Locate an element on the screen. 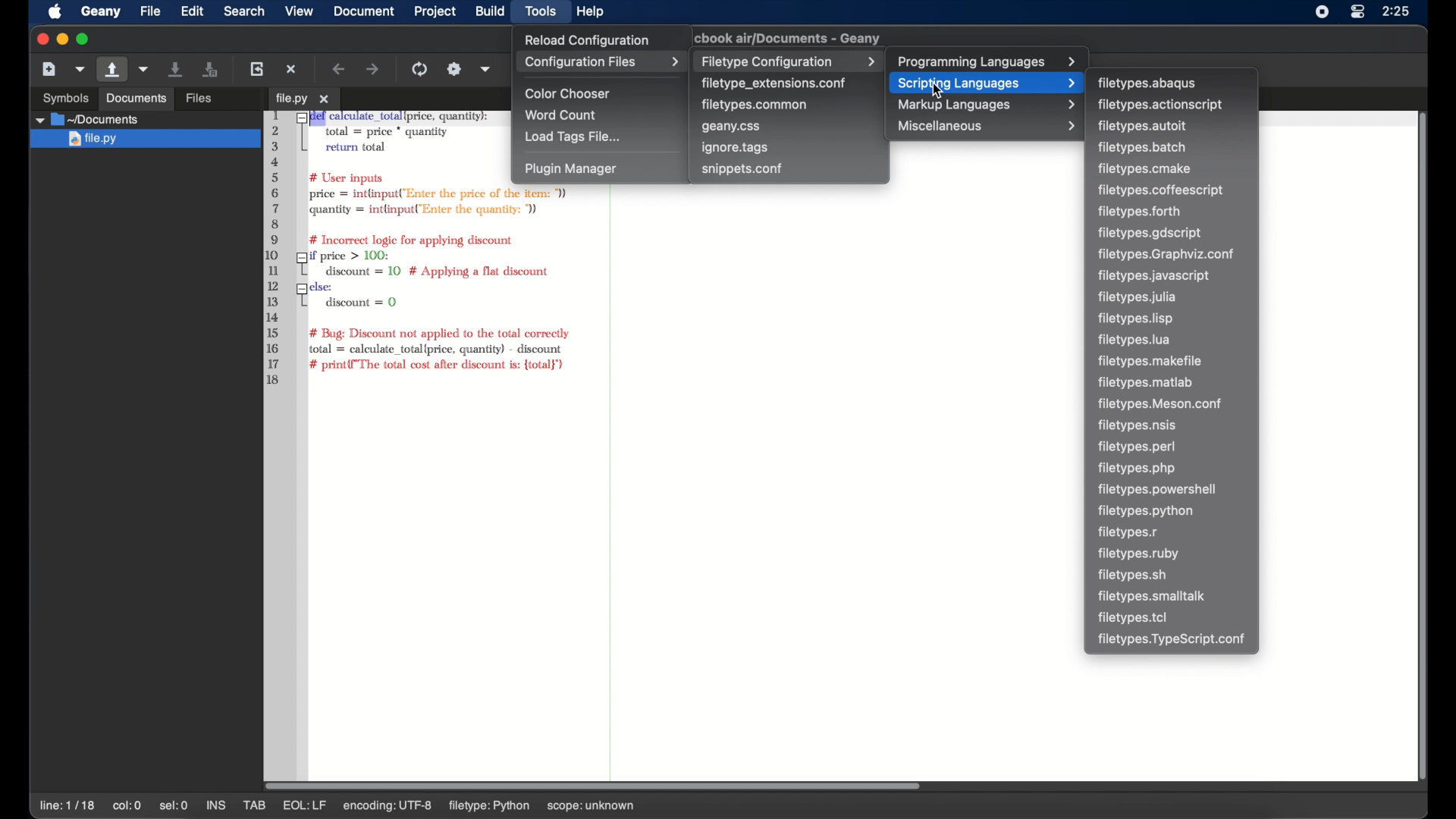 This screenshot has height=819, width=1456. filetypes is located at coordinates (1159, 490).